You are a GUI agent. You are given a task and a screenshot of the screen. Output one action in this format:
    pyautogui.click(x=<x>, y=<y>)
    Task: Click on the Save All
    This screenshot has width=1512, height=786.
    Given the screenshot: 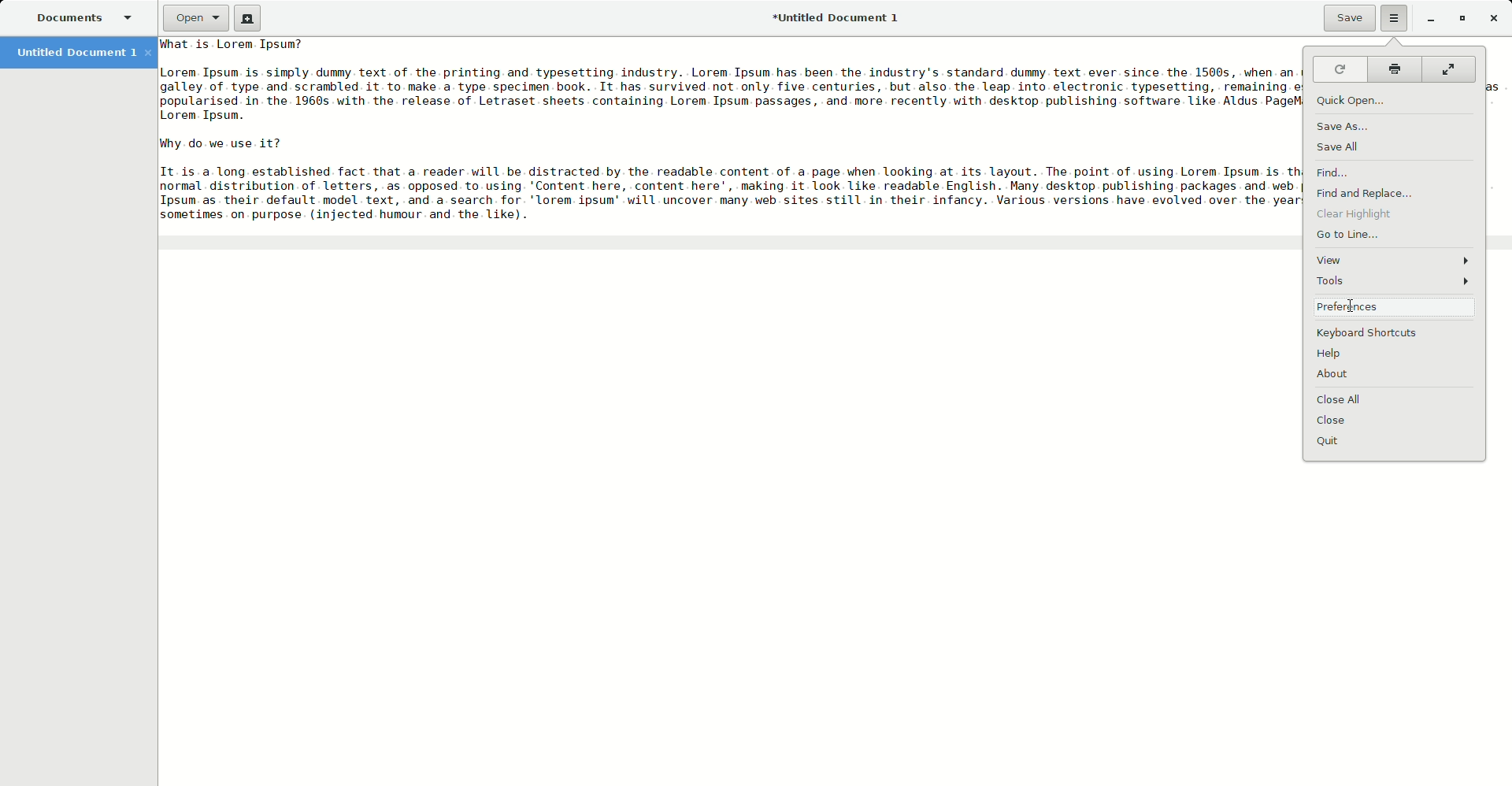 What is the action you would take?
    pyautogui.click(x=1340, y=148)
    